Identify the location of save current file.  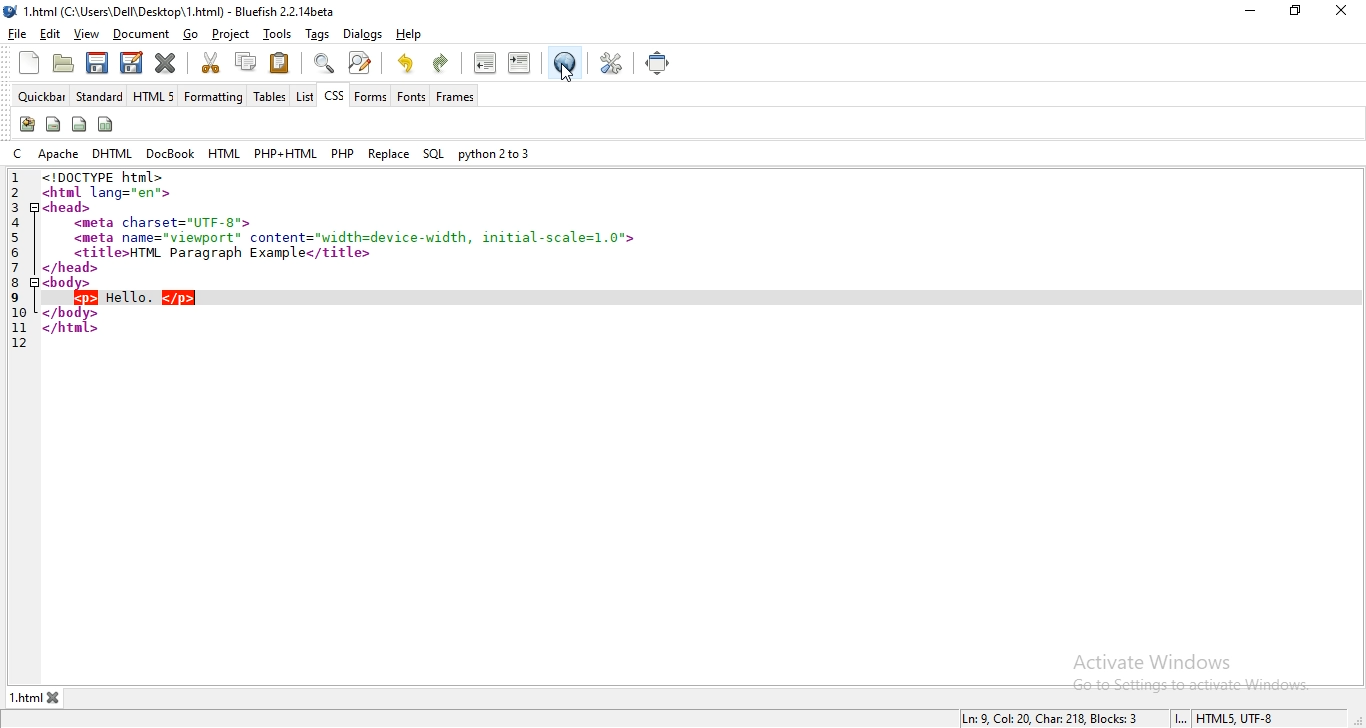
(97, 61).